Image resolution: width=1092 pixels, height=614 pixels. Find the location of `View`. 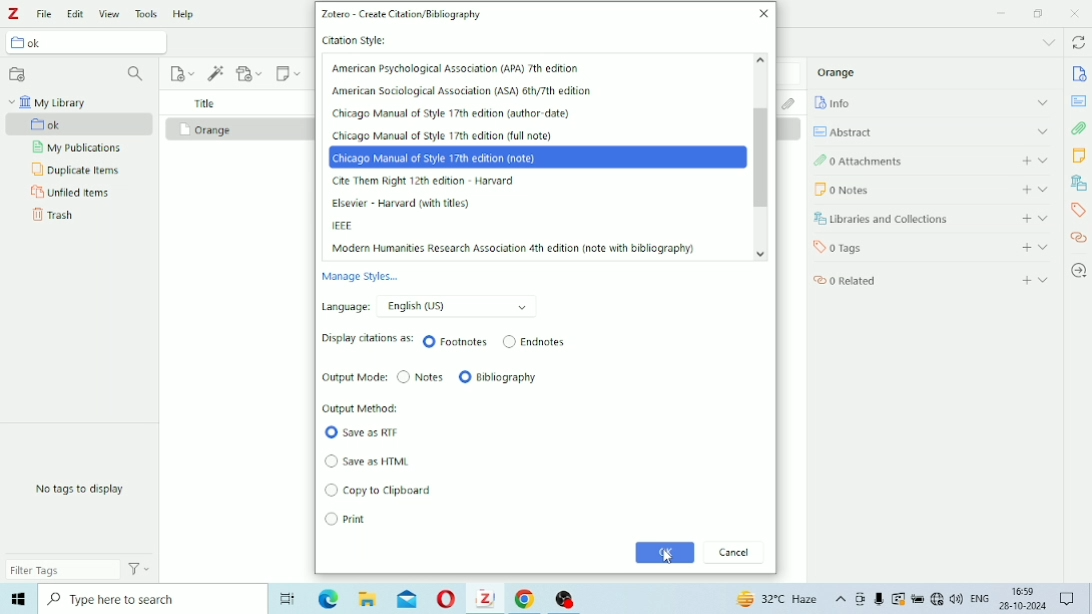

View is located at coordinates (110, 14).